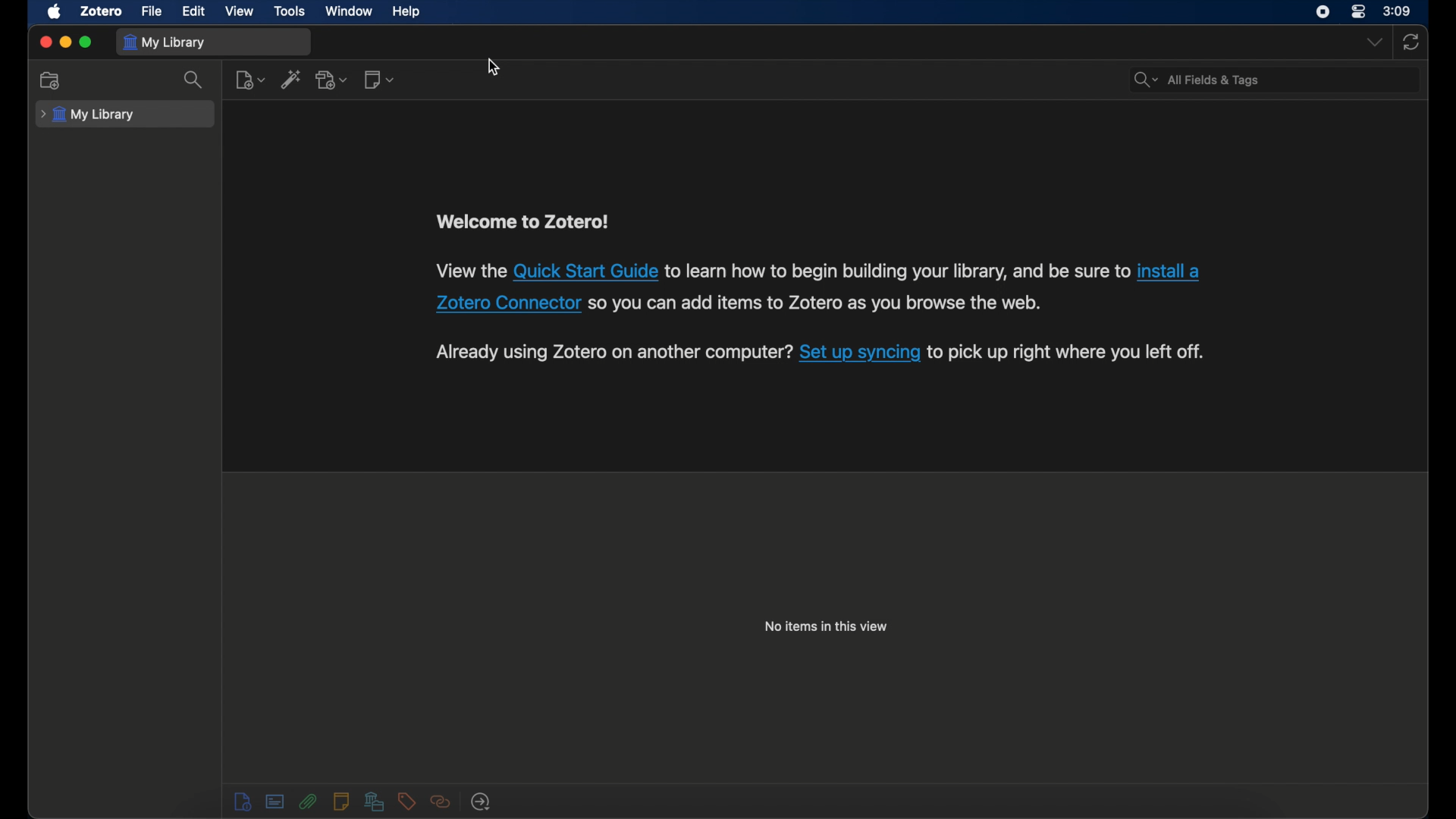 The width and height of the screenshot is (1456, 819). I want to click on locate, so click(482, 801).